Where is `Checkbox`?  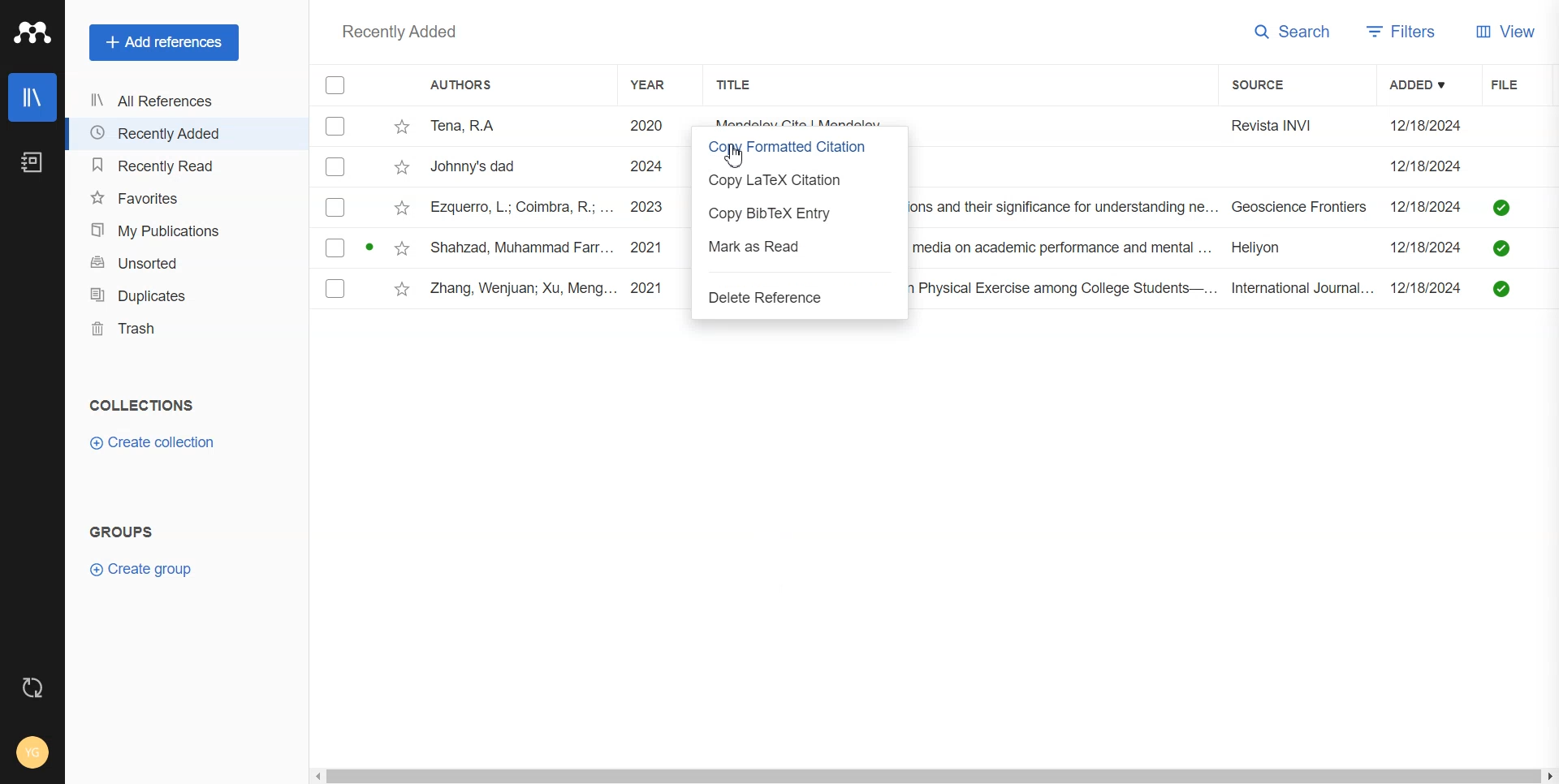 Checkbox is located at coordinates (336, 126).